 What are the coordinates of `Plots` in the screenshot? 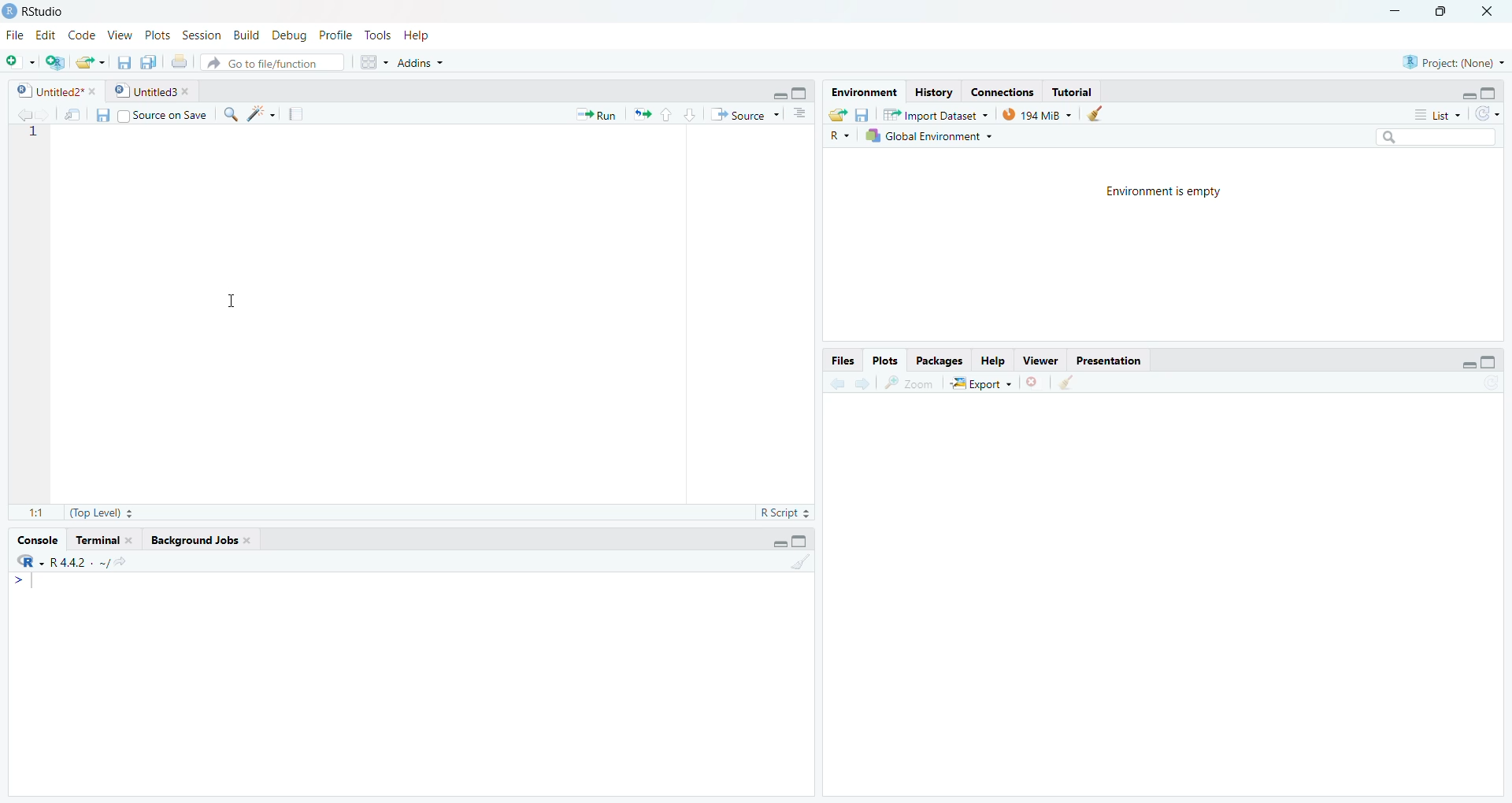 It's located at (155, 36).